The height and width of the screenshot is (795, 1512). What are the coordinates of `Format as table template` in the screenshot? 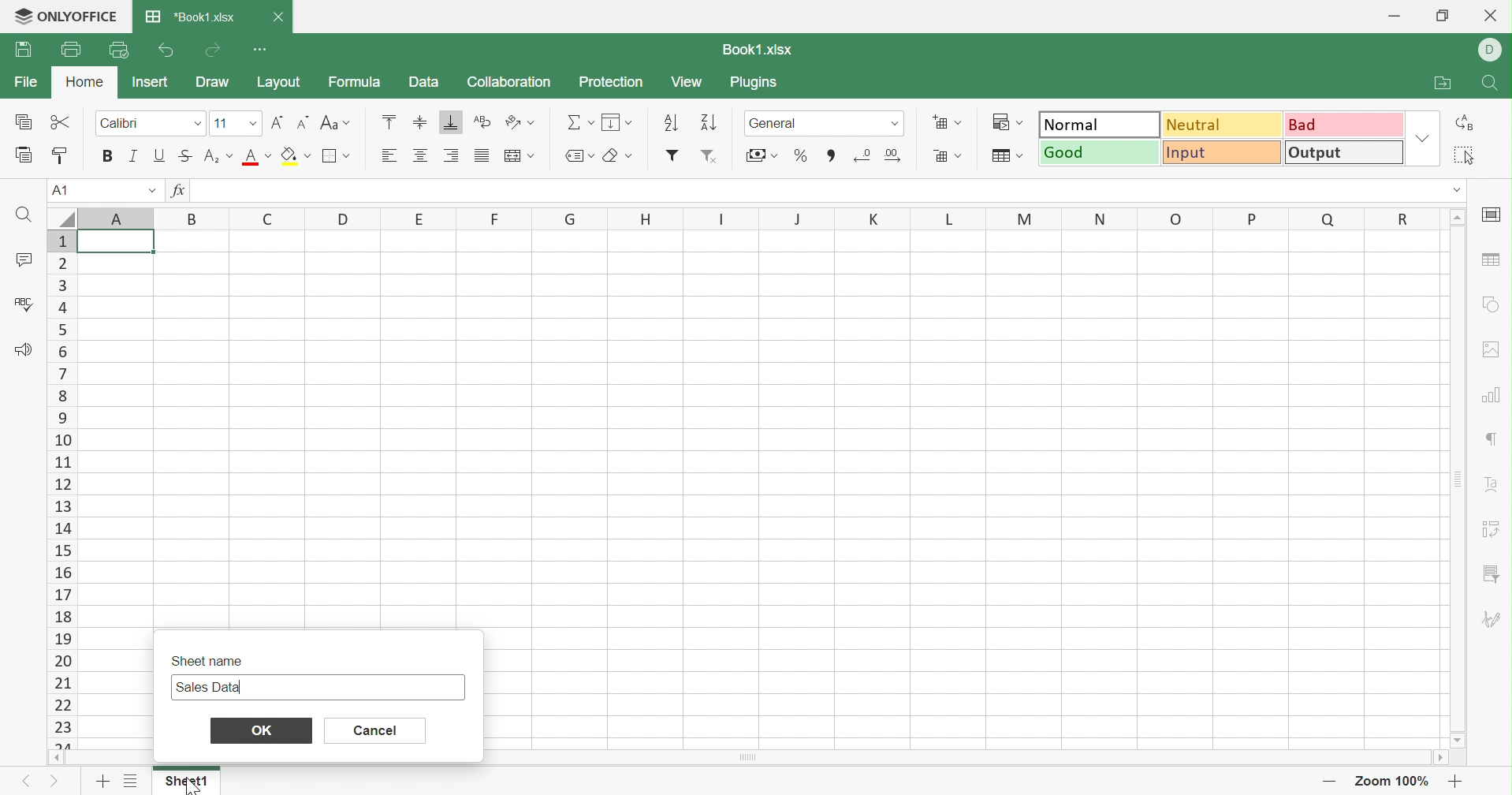 It's located at (1008, 154).